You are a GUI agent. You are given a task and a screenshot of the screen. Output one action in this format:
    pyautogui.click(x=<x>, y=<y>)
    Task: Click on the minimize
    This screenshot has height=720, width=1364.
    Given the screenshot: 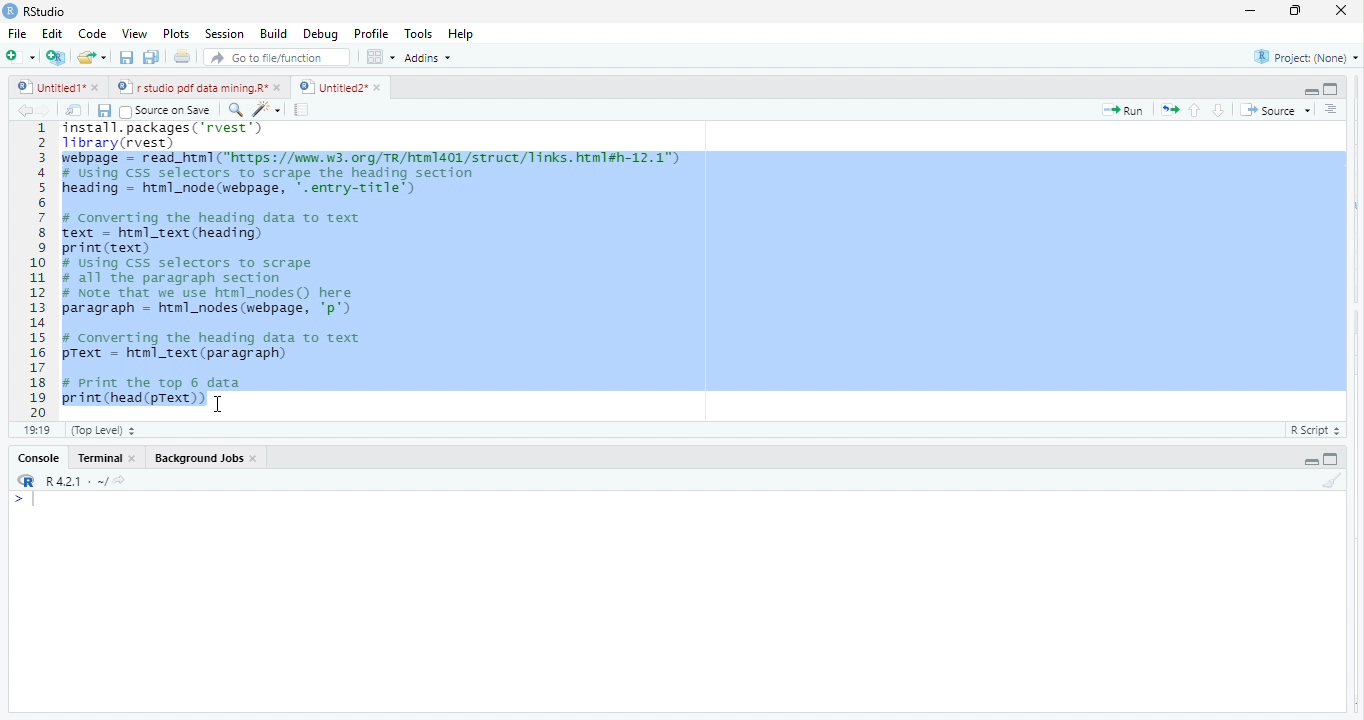 What is the action you would take?
    pyautogui.click(x=1292, y=13)
    